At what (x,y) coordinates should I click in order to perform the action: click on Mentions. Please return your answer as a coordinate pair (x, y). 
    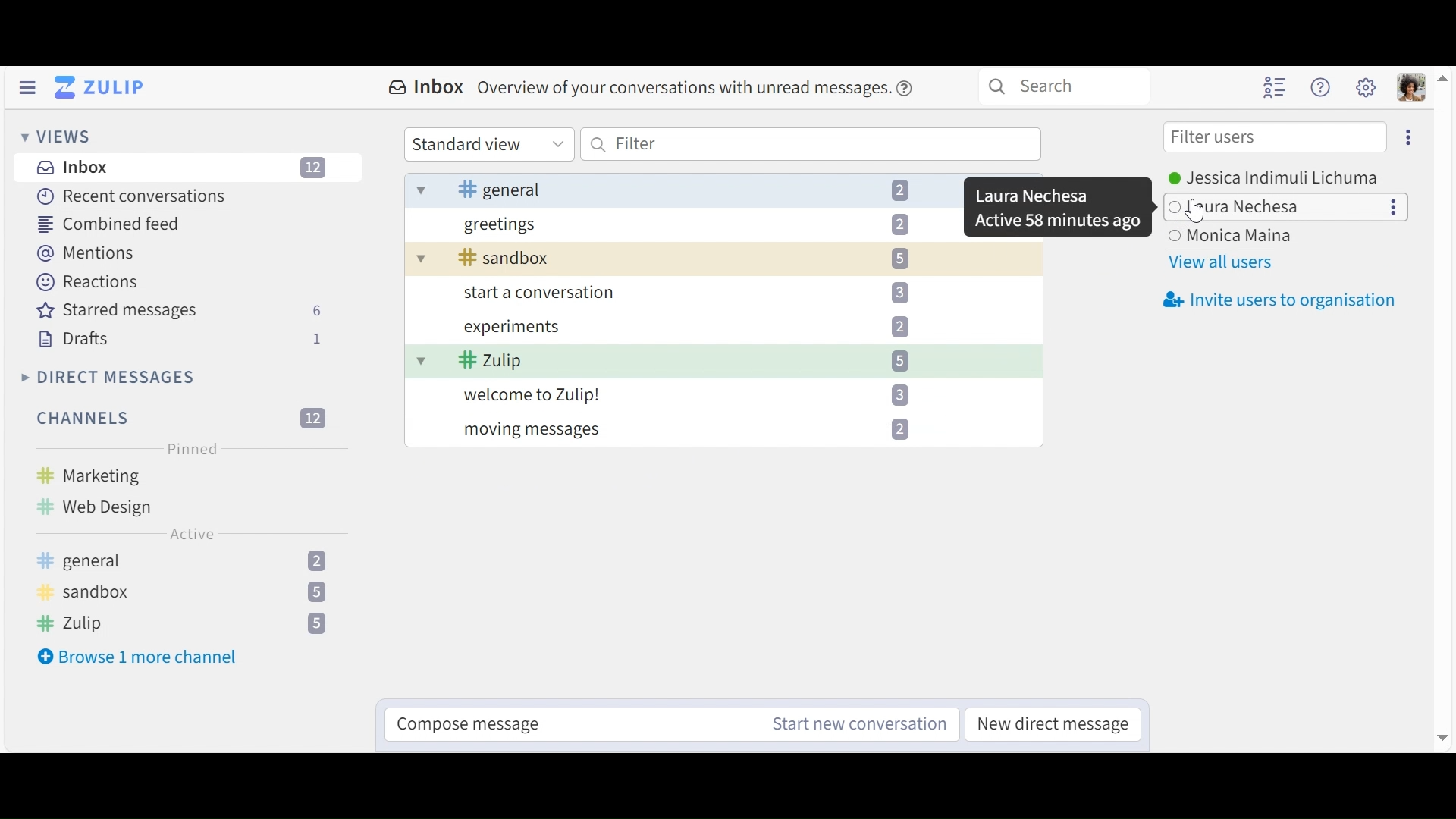
    Looking at the image, I should click on (83, 252).